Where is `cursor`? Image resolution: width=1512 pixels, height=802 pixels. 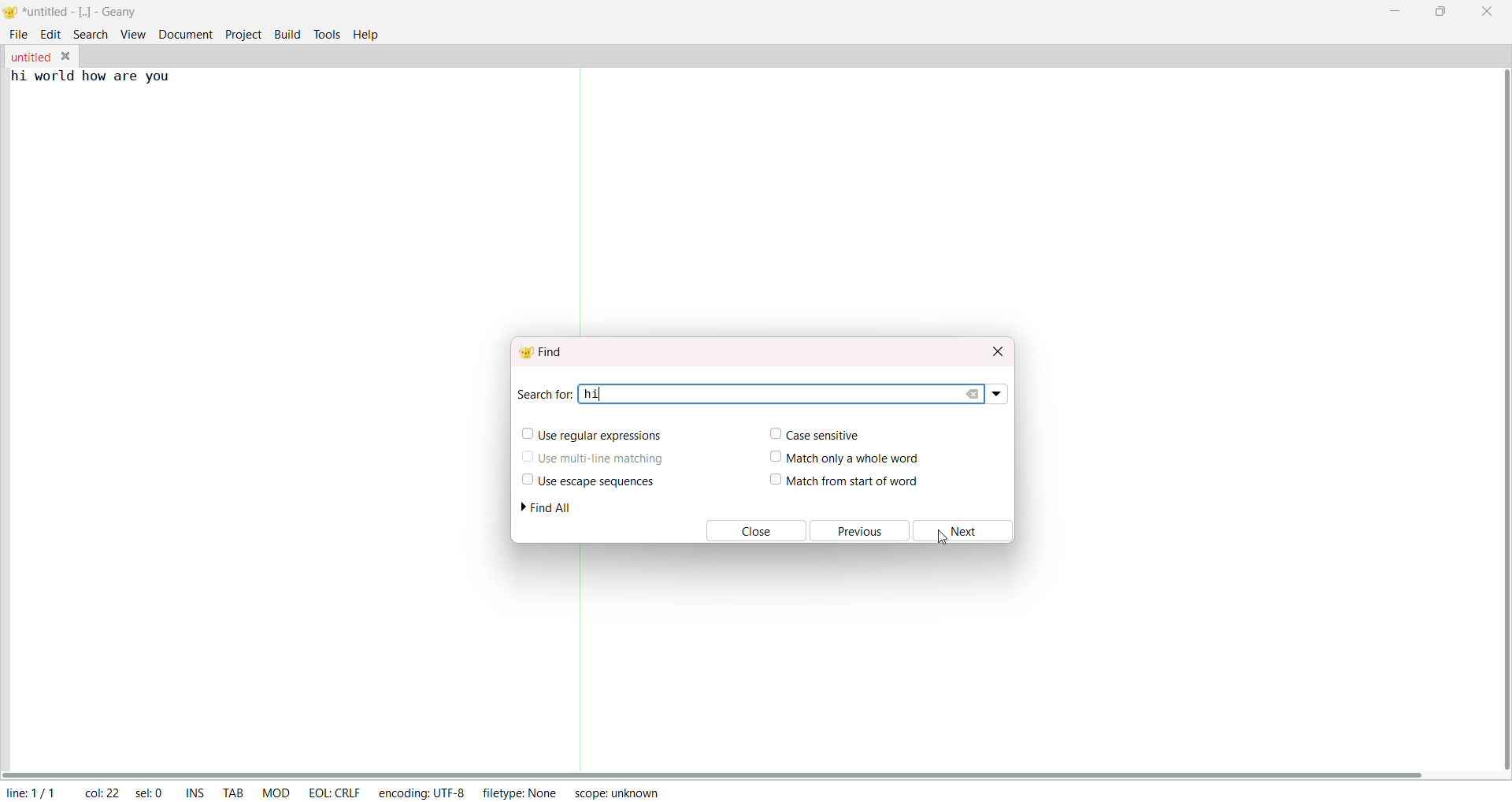
cursor is located at coordinates (951, 541).